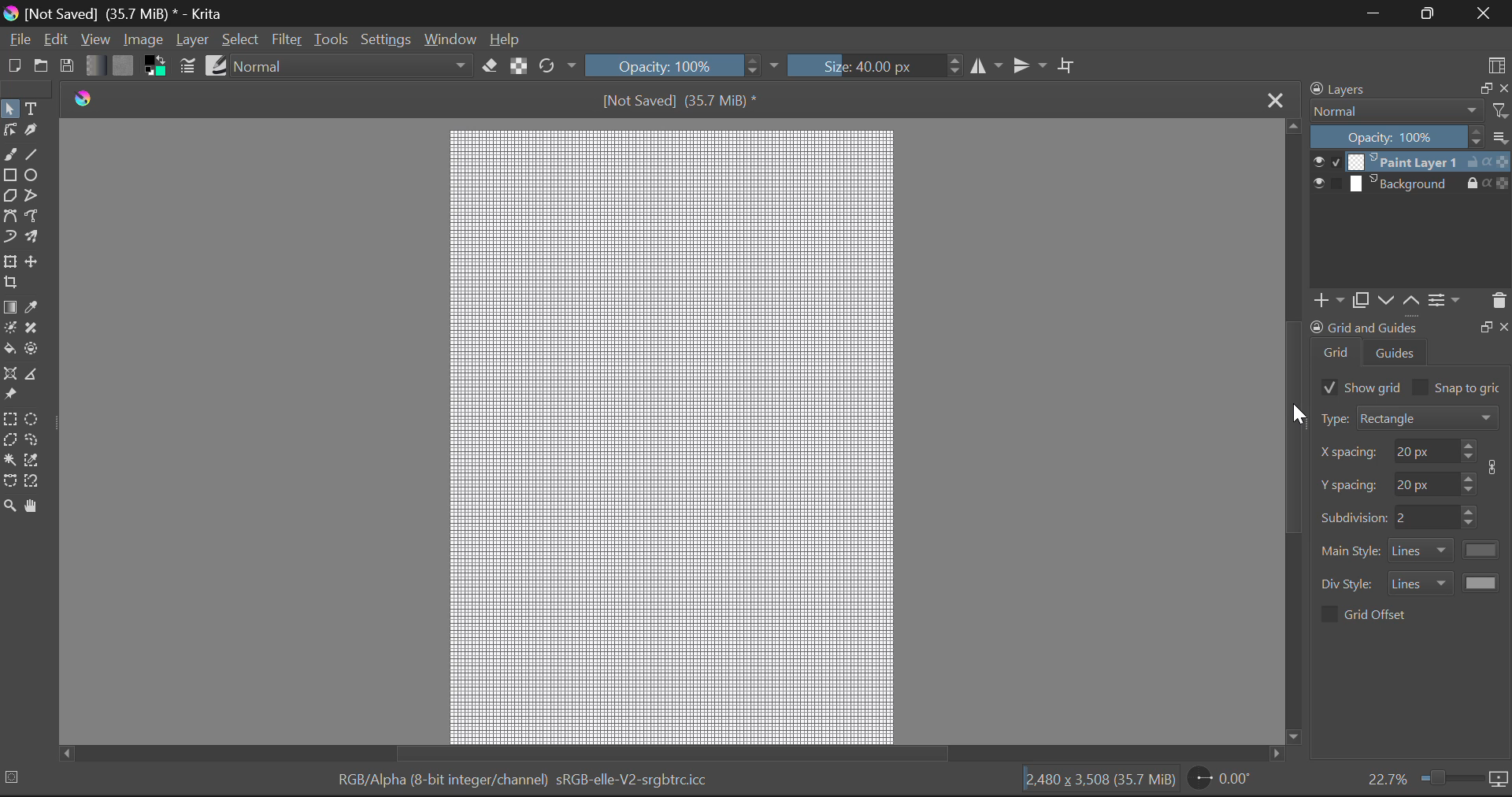  Describe the element at coordinates (1429, 417) in the screenshot. I see `rectangle` at that location.